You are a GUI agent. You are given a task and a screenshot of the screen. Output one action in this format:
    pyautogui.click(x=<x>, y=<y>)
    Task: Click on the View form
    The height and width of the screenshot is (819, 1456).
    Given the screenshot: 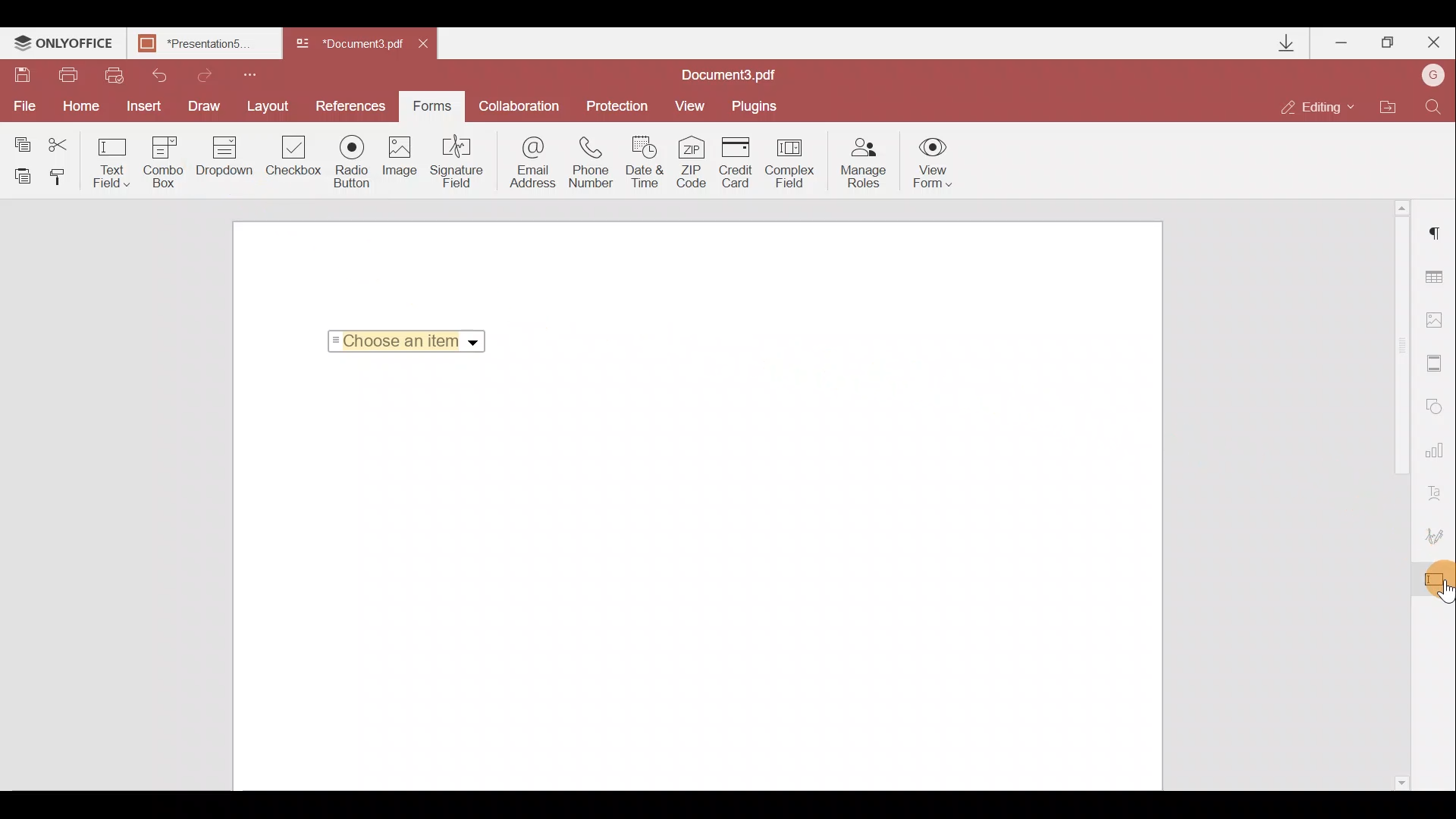 What is the action you would take?
    pyautogui.click(x=931, y=162)
    